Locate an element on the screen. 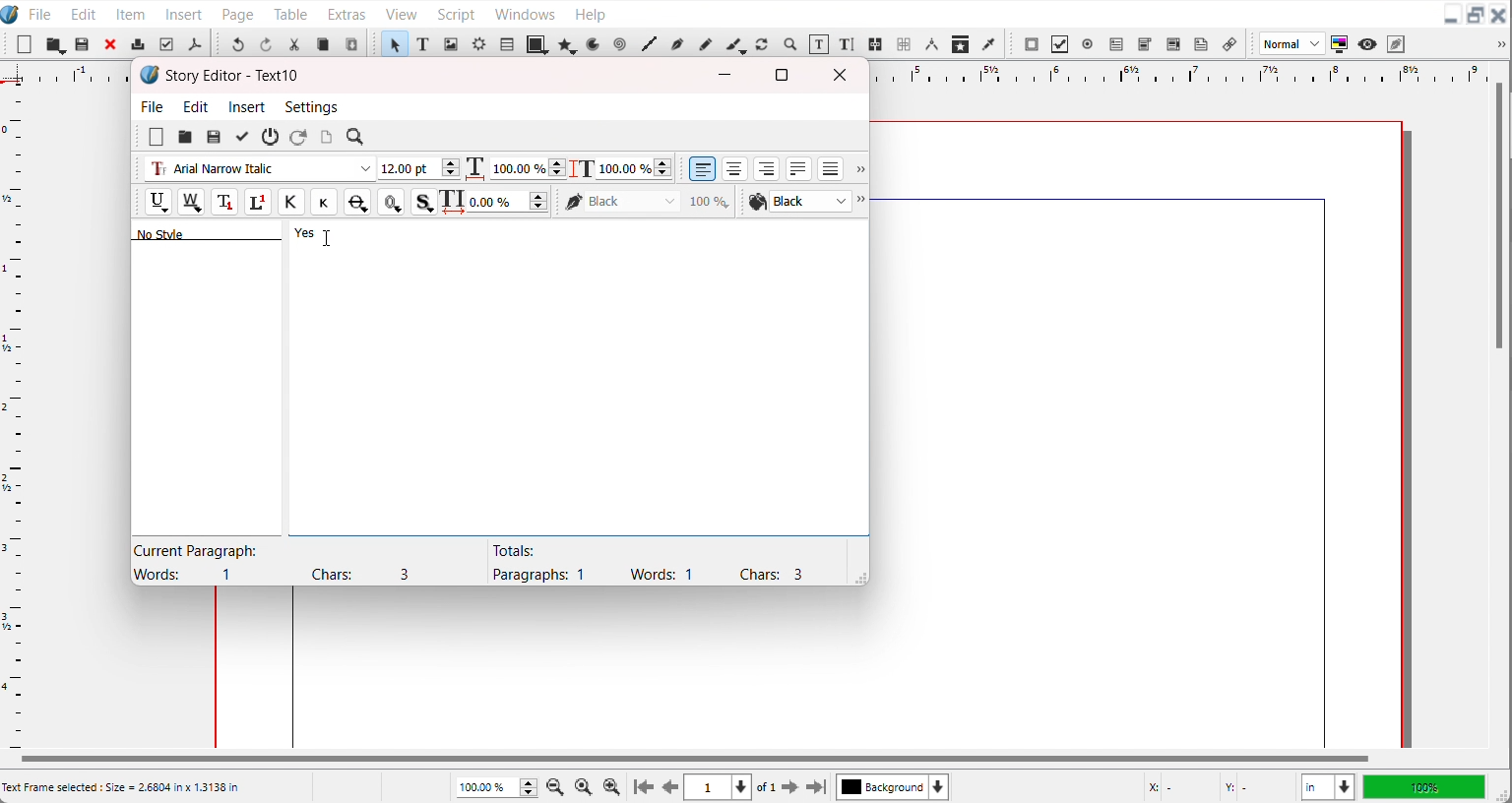 This screenshot has width=1512, height=803. Edit content with frame is located at coordinates (819, 44).